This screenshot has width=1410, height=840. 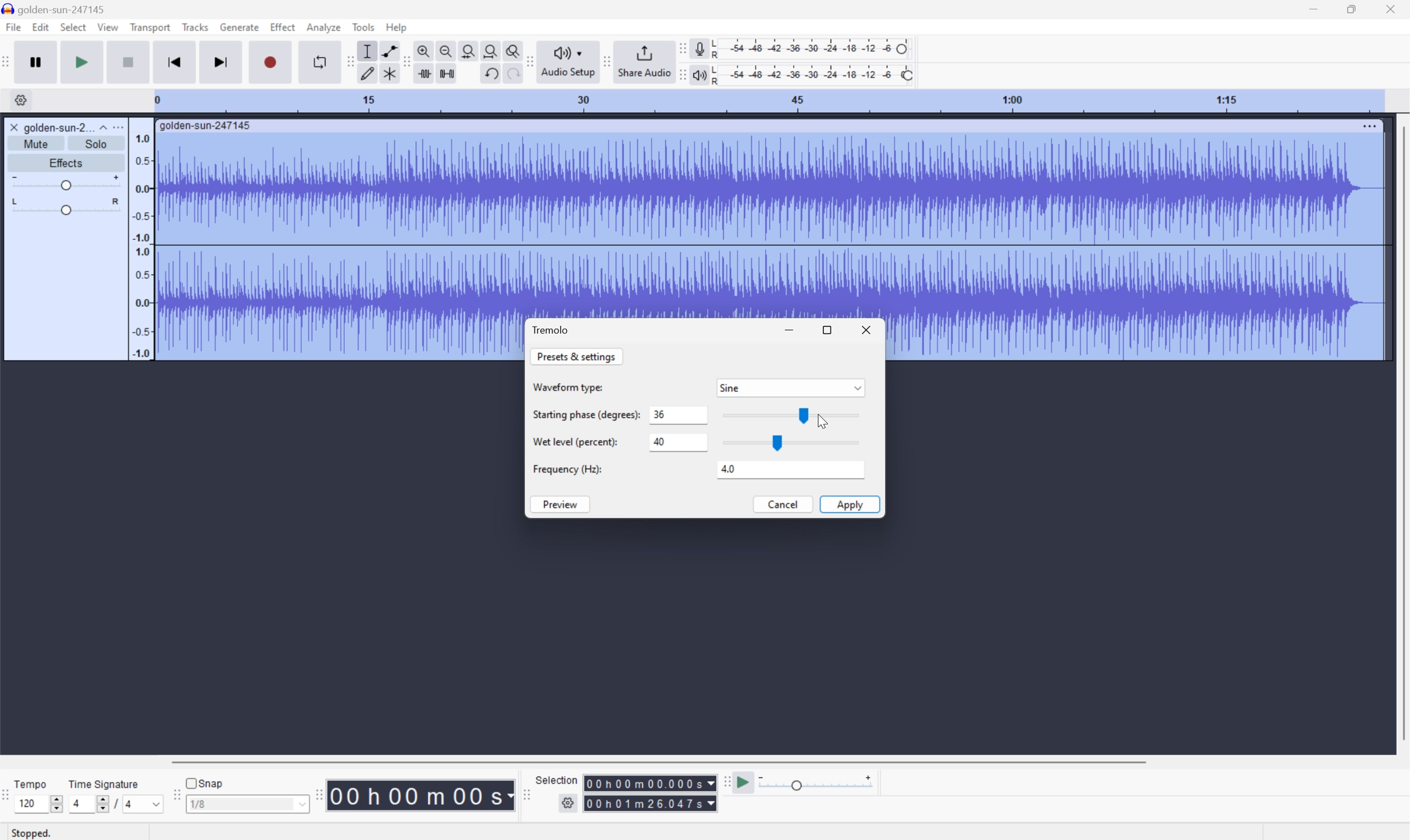 What do you see at coordinates (725, 780) in the screenshot?
I see `Audacity play at speed toolbar` at bounding box center [725, 780].